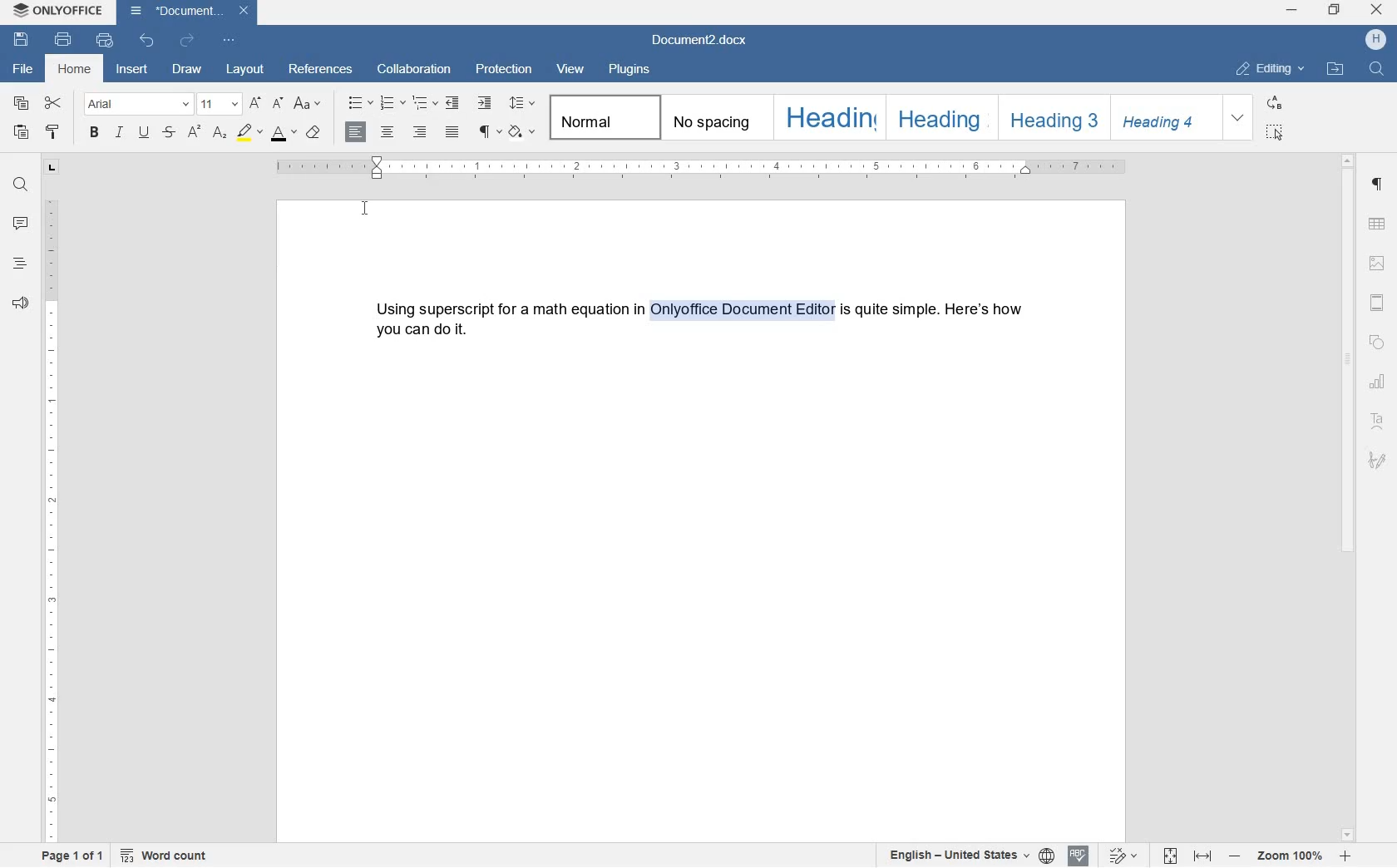 The image size is (1397, 868). I want to click on file, so click(21, 70).